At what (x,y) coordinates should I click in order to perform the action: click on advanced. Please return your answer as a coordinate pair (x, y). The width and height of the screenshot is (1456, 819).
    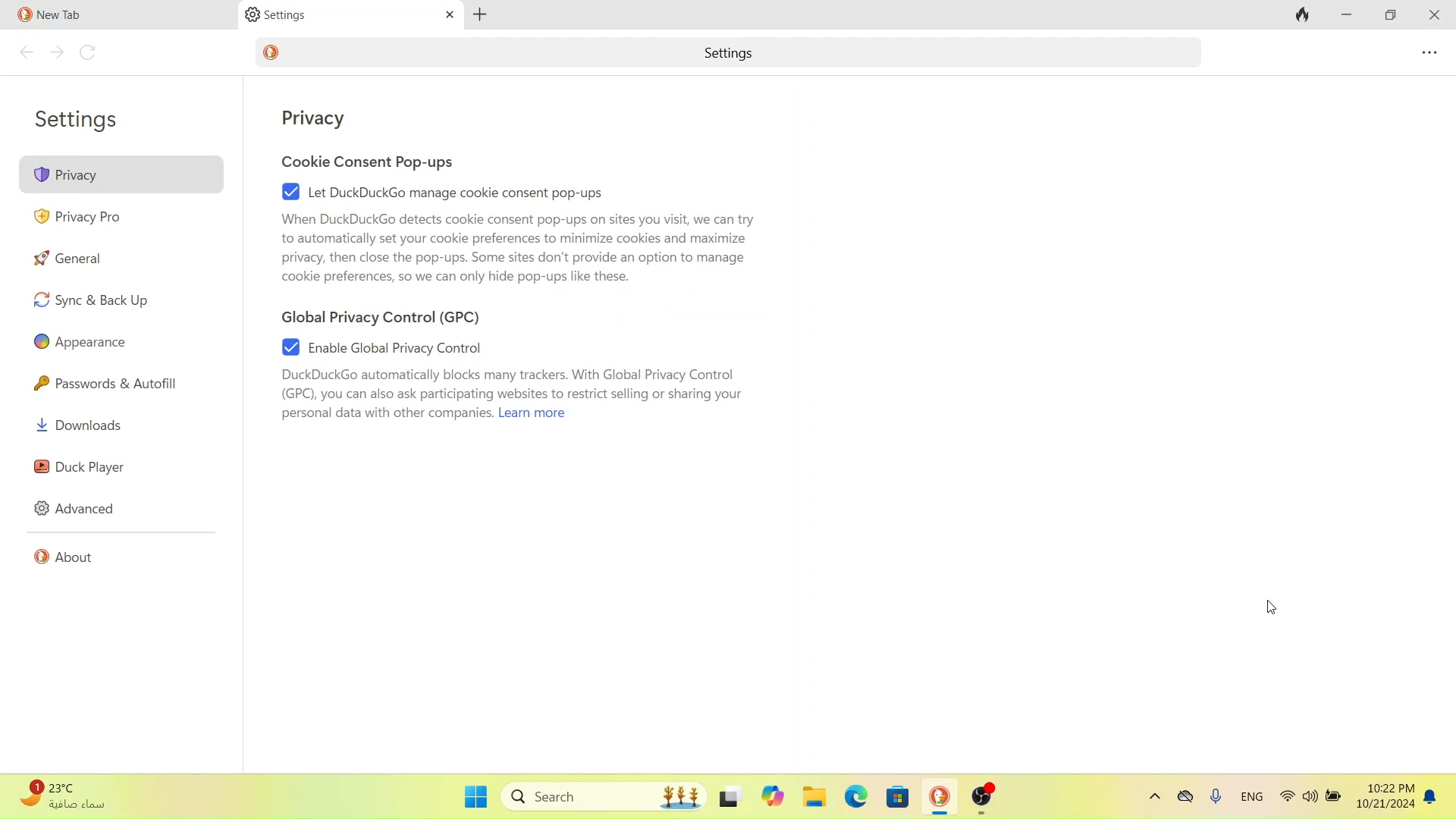
    Looking at the image, I should click on (77, 510).